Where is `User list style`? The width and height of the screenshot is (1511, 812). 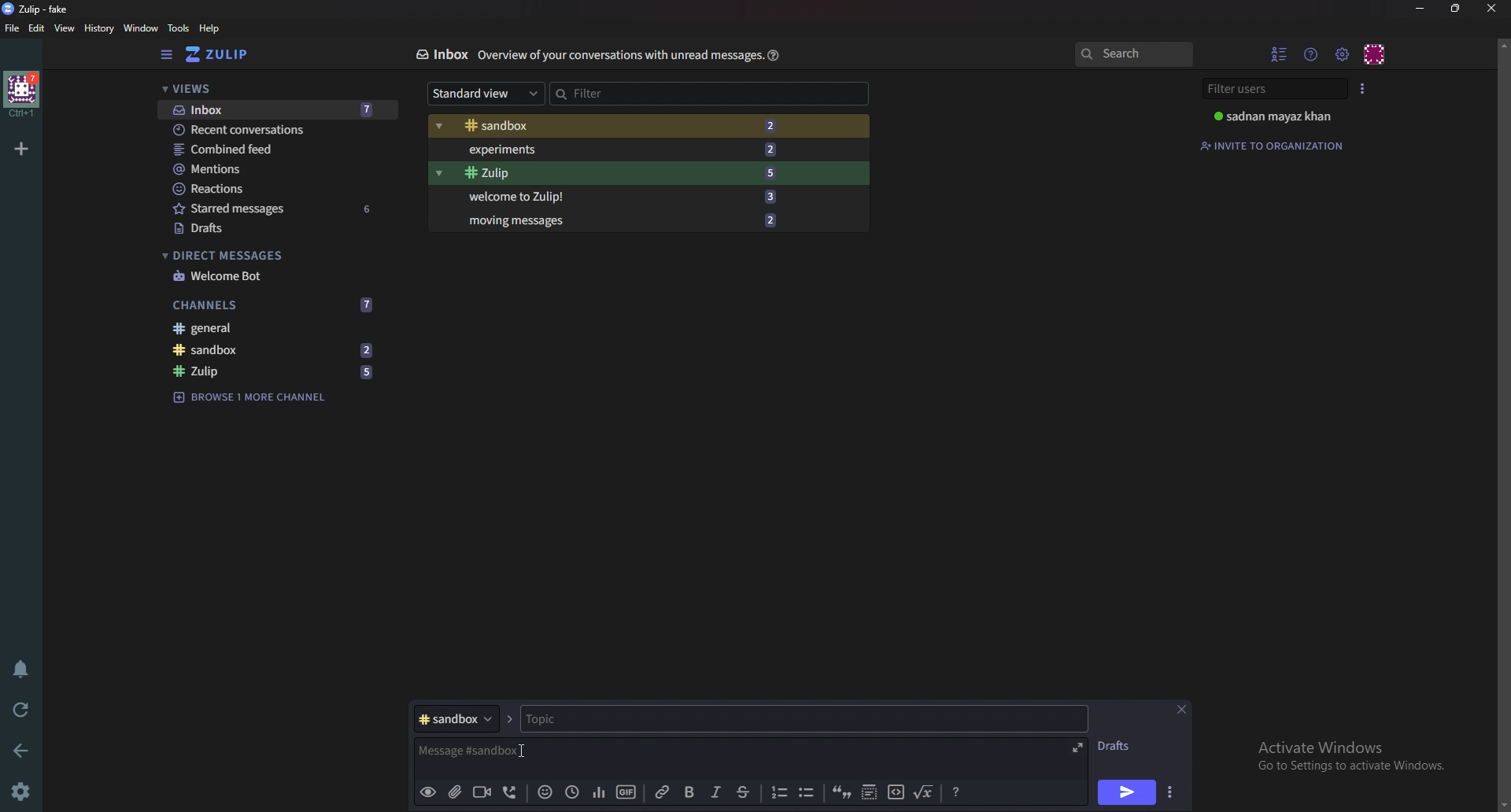
User list style is located at coordinates (1364, 87).